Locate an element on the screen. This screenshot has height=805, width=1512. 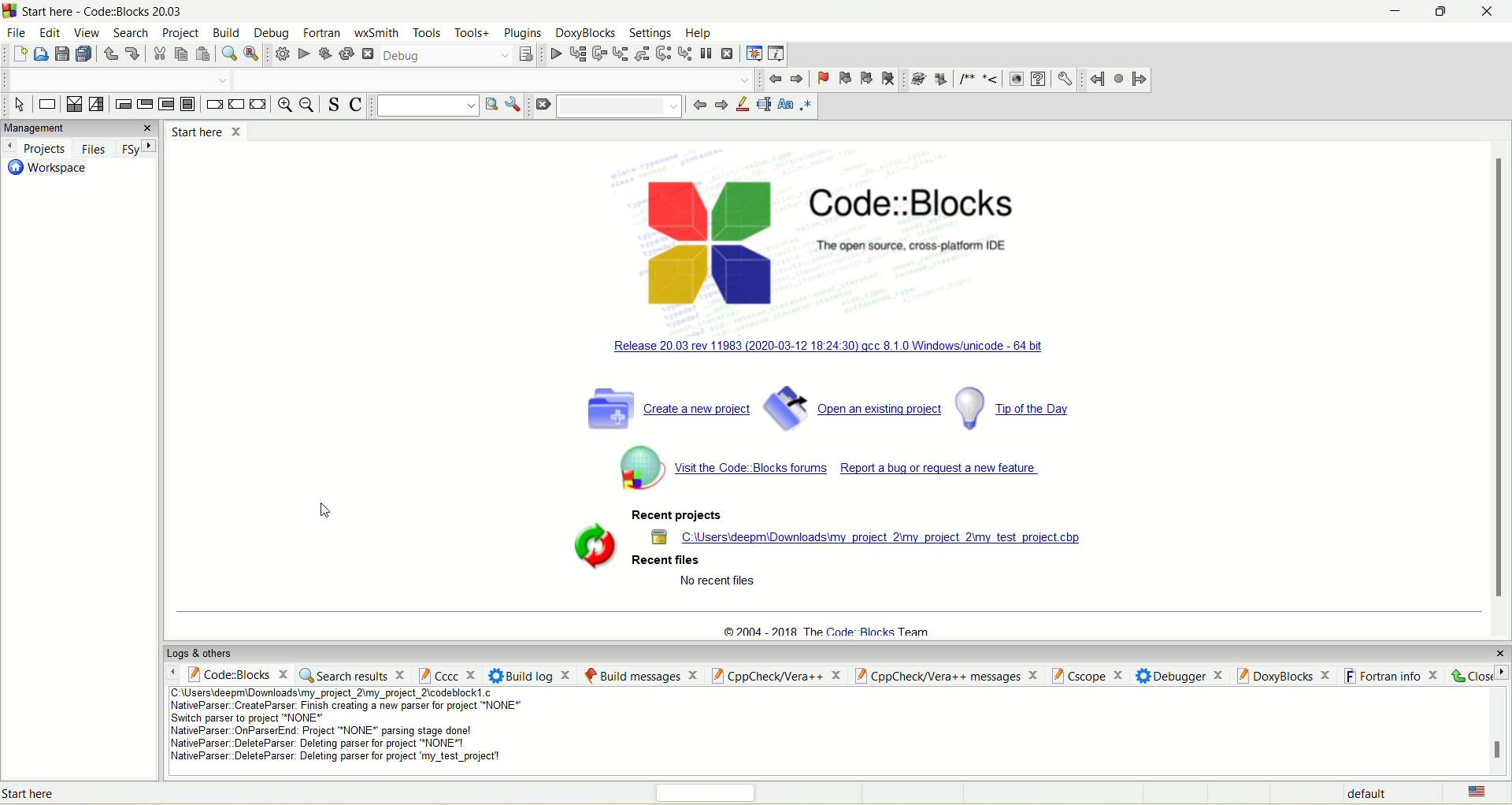
match case is located at coordinates (785, 105).